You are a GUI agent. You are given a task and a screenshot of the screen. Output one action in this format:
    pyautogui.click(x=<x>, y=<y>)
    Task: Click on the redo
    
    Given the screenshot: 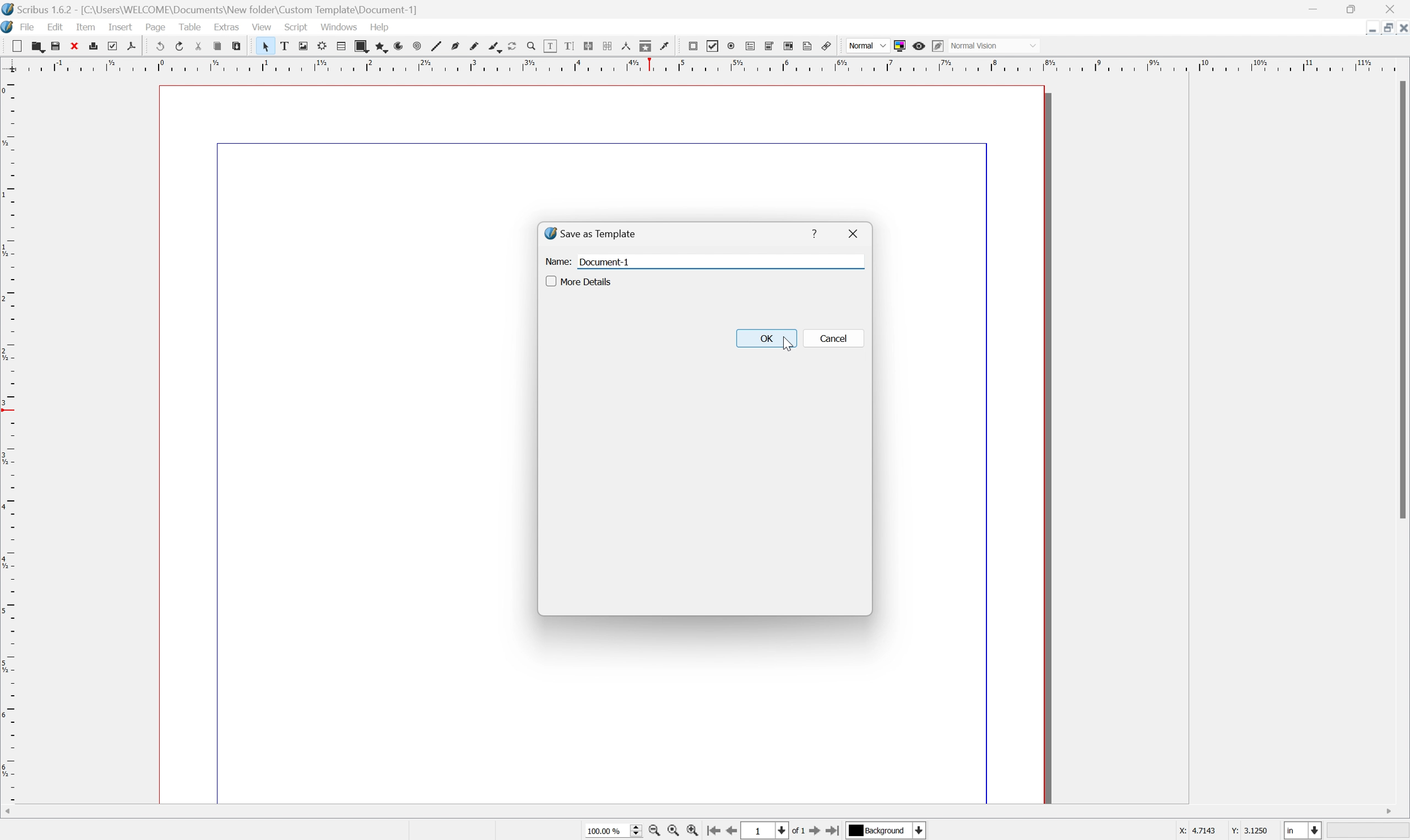 What is the action you would take?
    pyautogui.click(x=177, y=45)
    